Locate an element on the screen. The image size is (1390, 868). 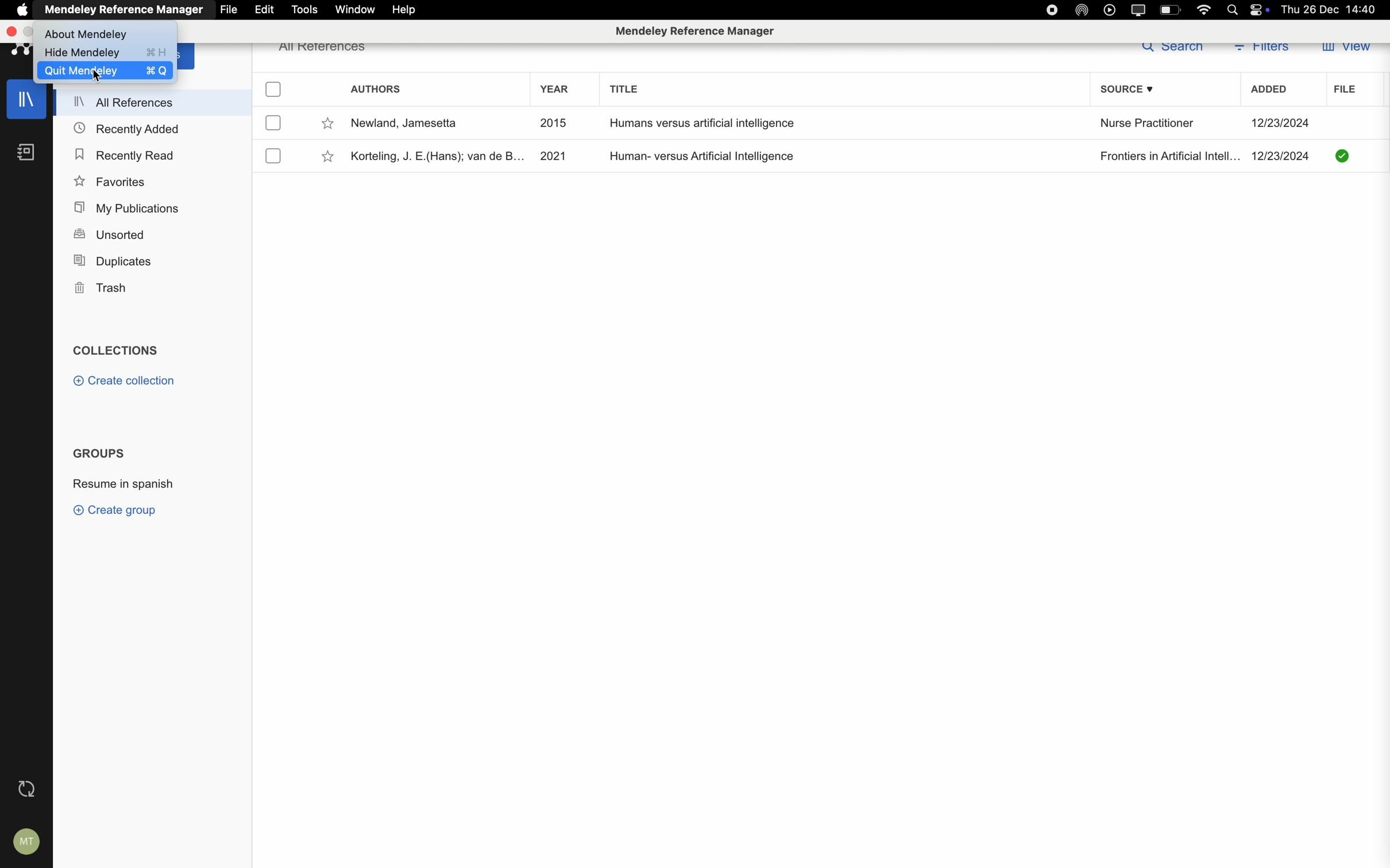
added is located at coordinates (1270, 91).